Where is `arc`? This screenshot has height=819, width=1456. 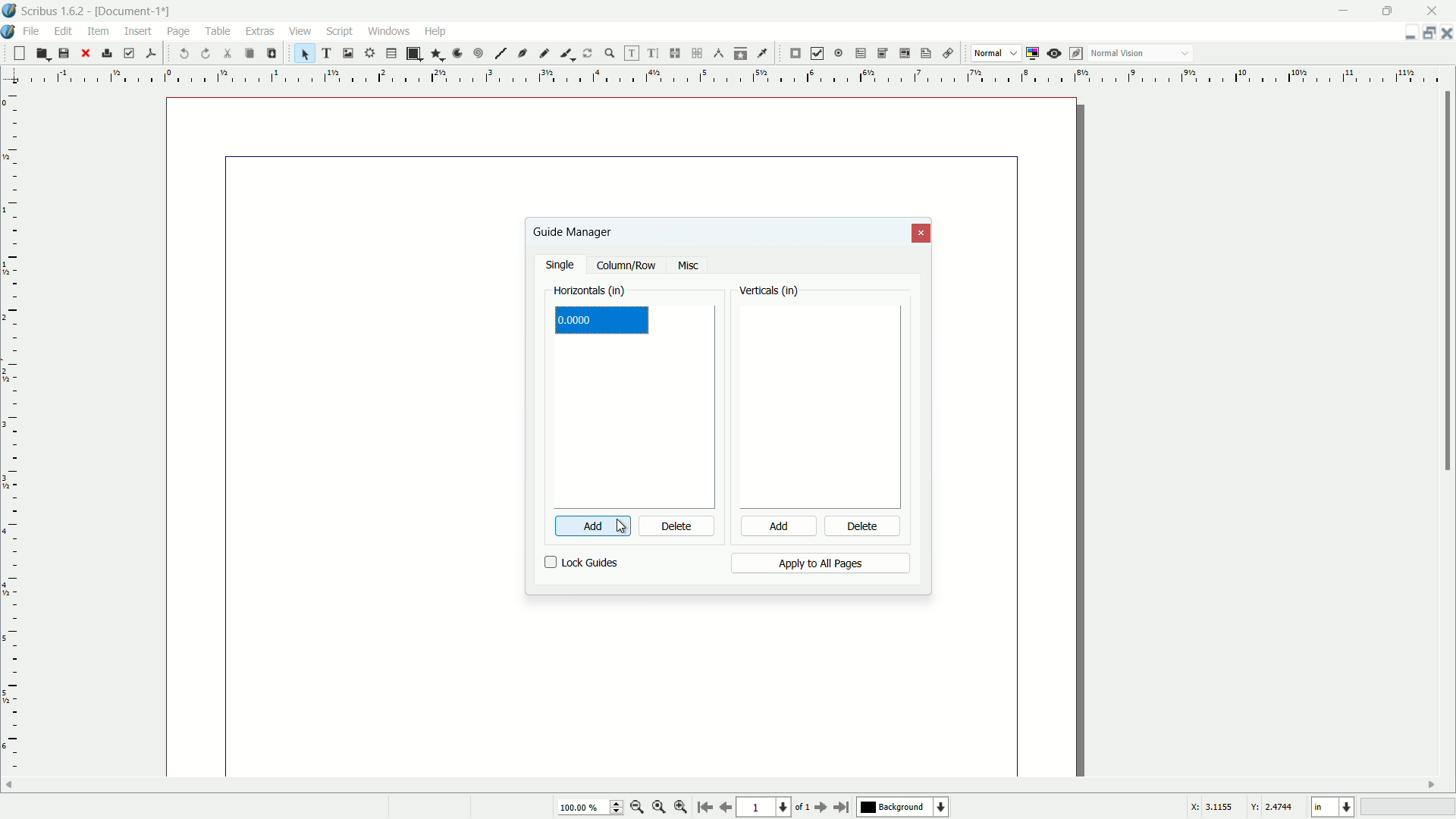
arc is located at coordinates (458, 53).